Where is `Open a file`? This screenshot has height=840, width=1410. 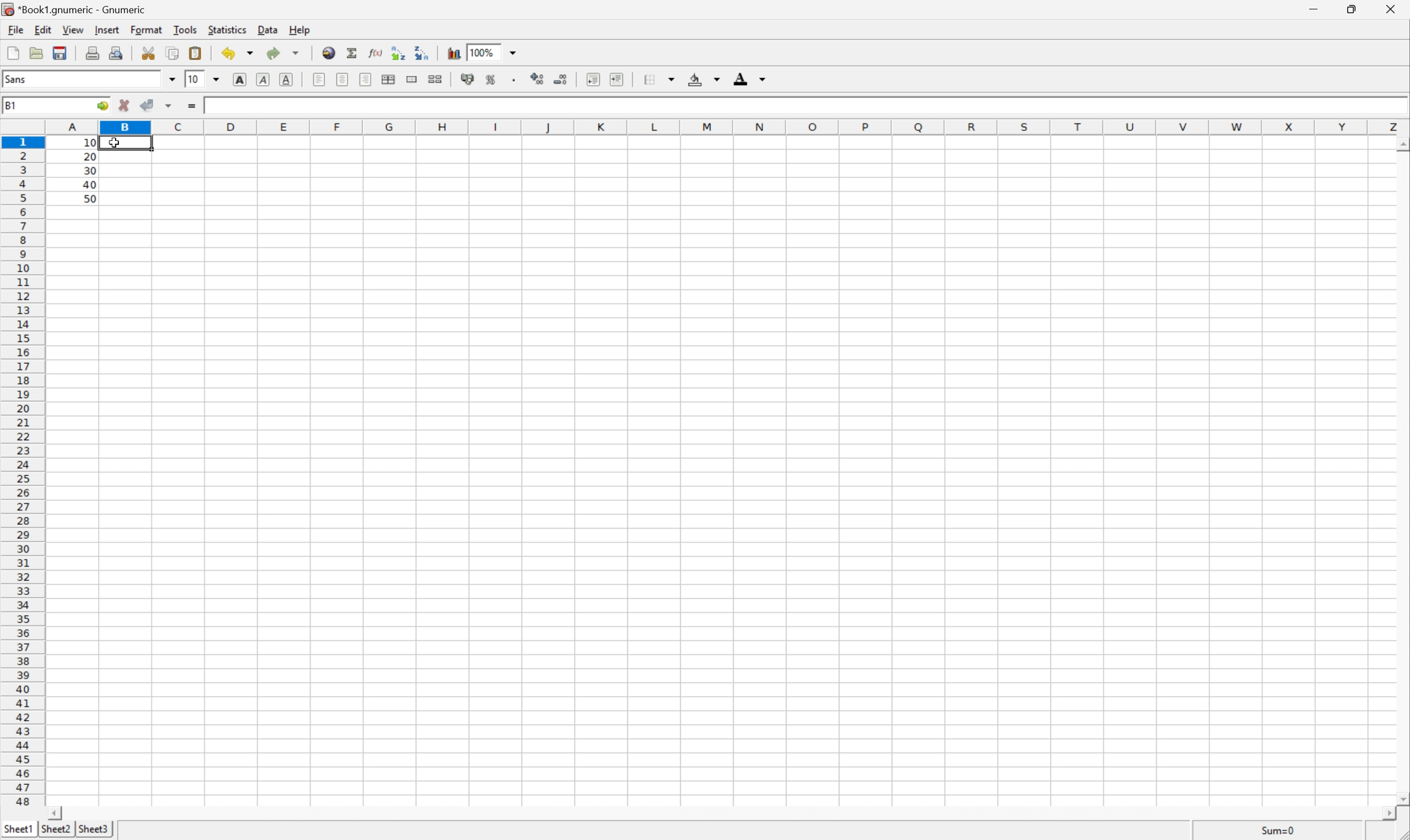 Open a file is located at coordinates (36, 53).